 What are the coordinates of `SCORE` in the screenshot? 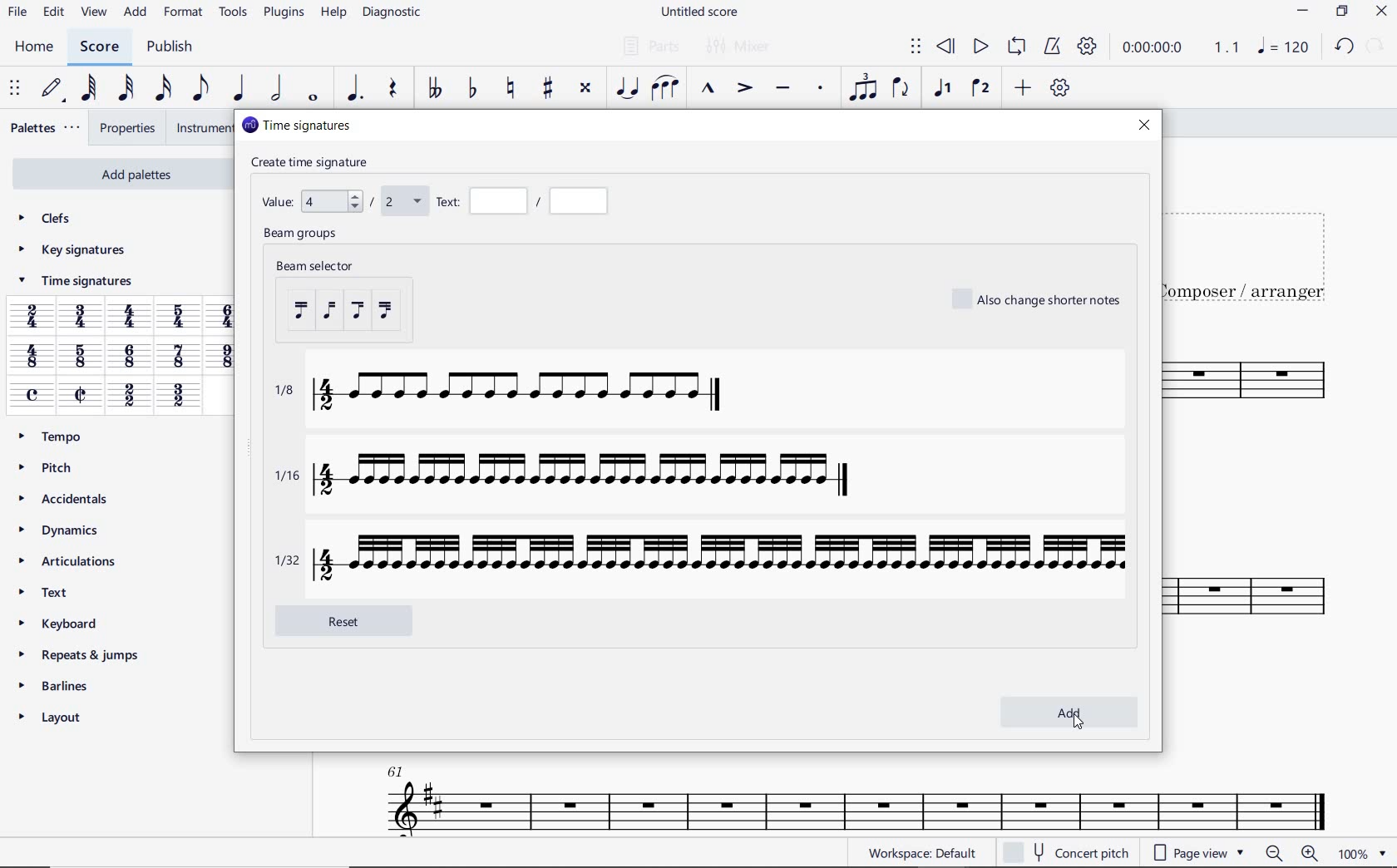 It's located at (99, 47).